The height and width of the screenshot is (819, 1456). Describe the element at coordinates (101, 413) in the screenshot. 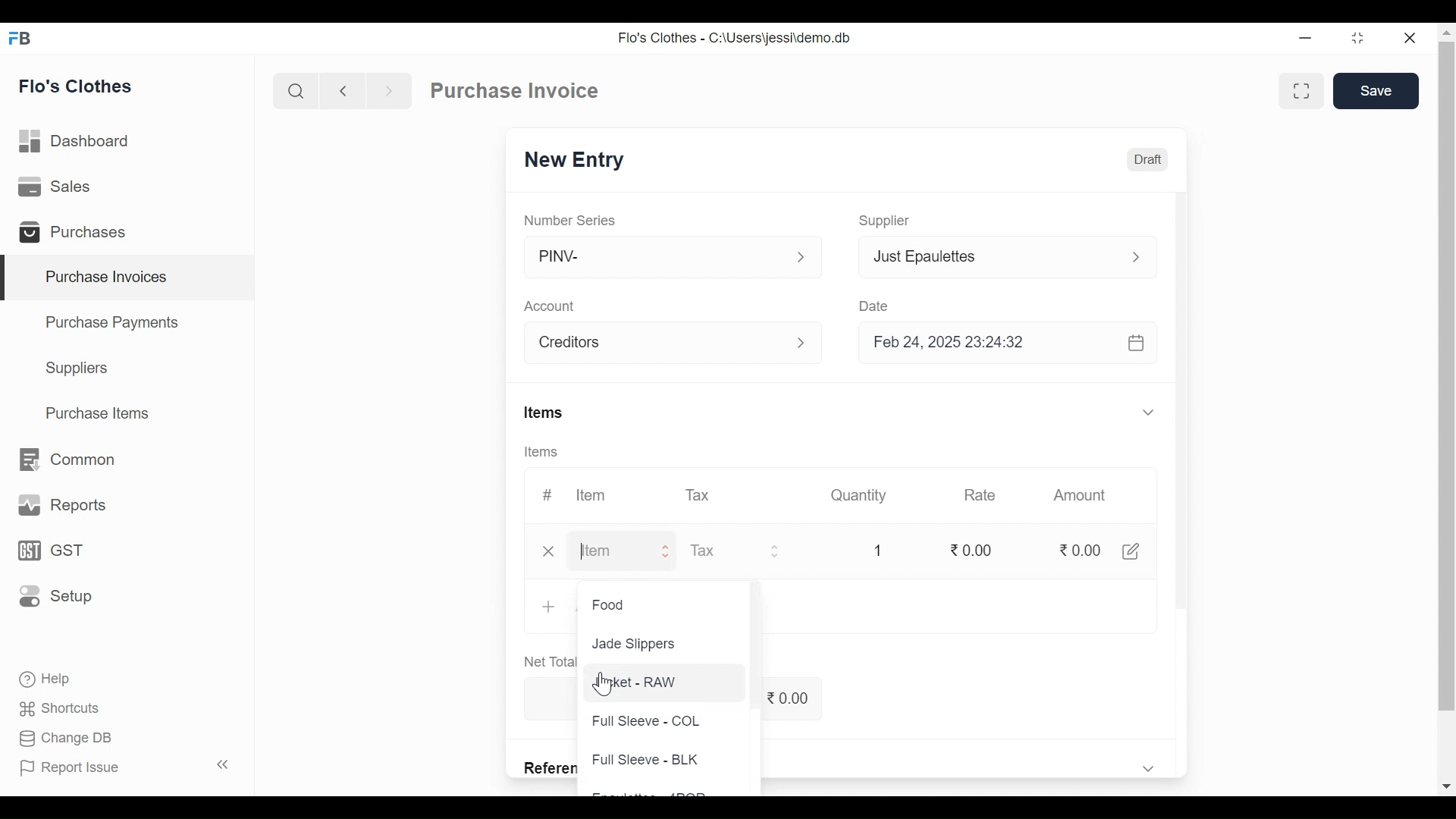

I see `Purchase Items` at that location.